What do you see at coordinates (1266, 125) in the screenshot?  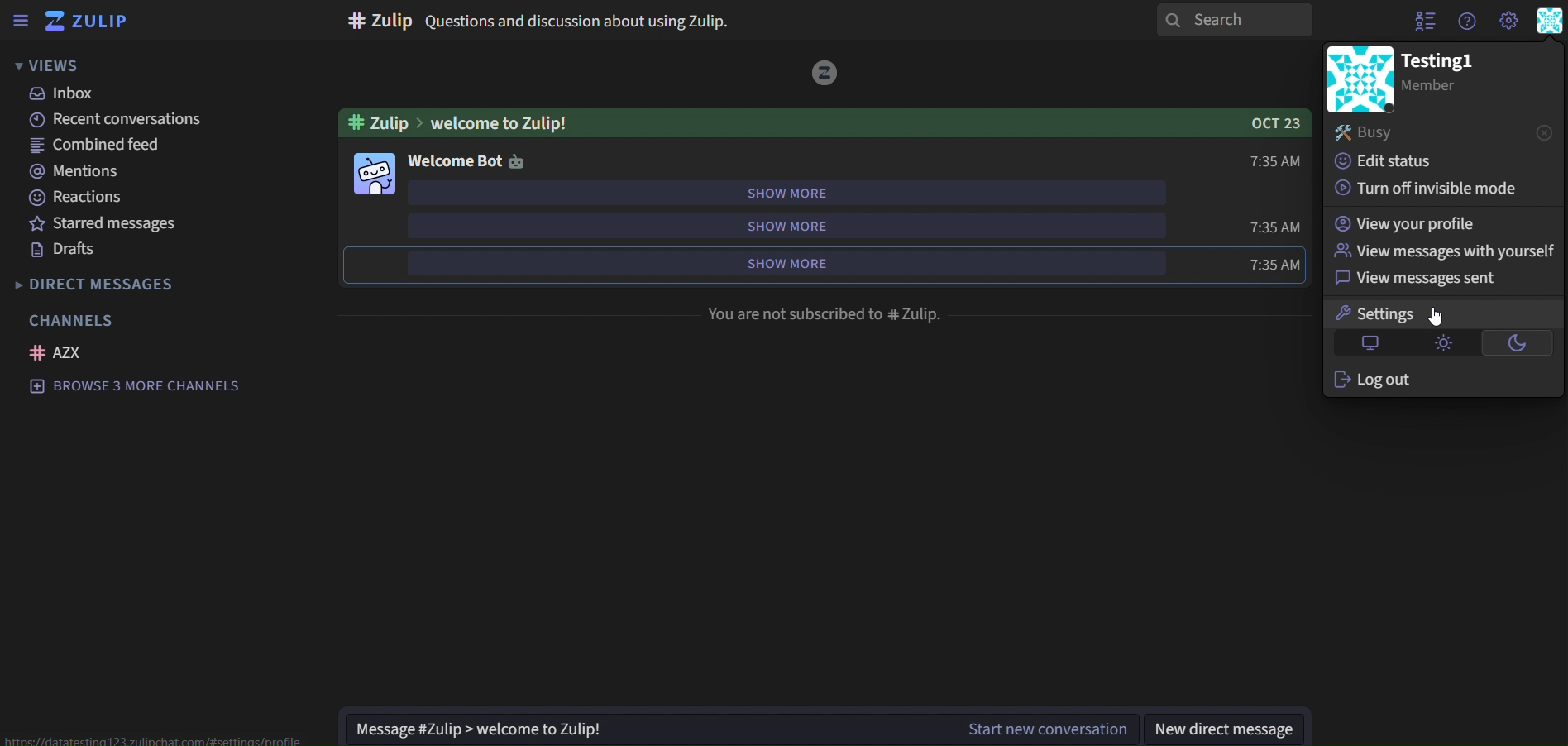 I see `Oct 23` at bounding box center [1266, 125].